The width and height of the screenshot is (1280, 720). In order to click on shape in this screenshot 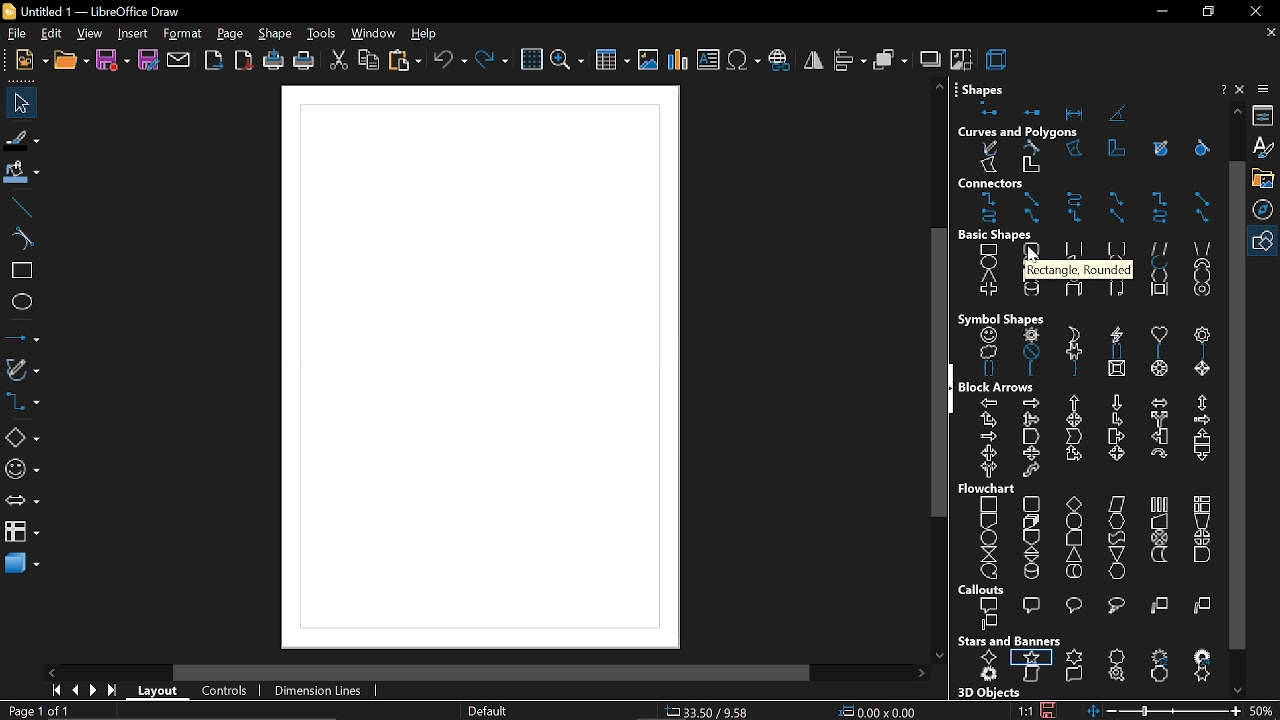, I will do `click(277, 35)`.